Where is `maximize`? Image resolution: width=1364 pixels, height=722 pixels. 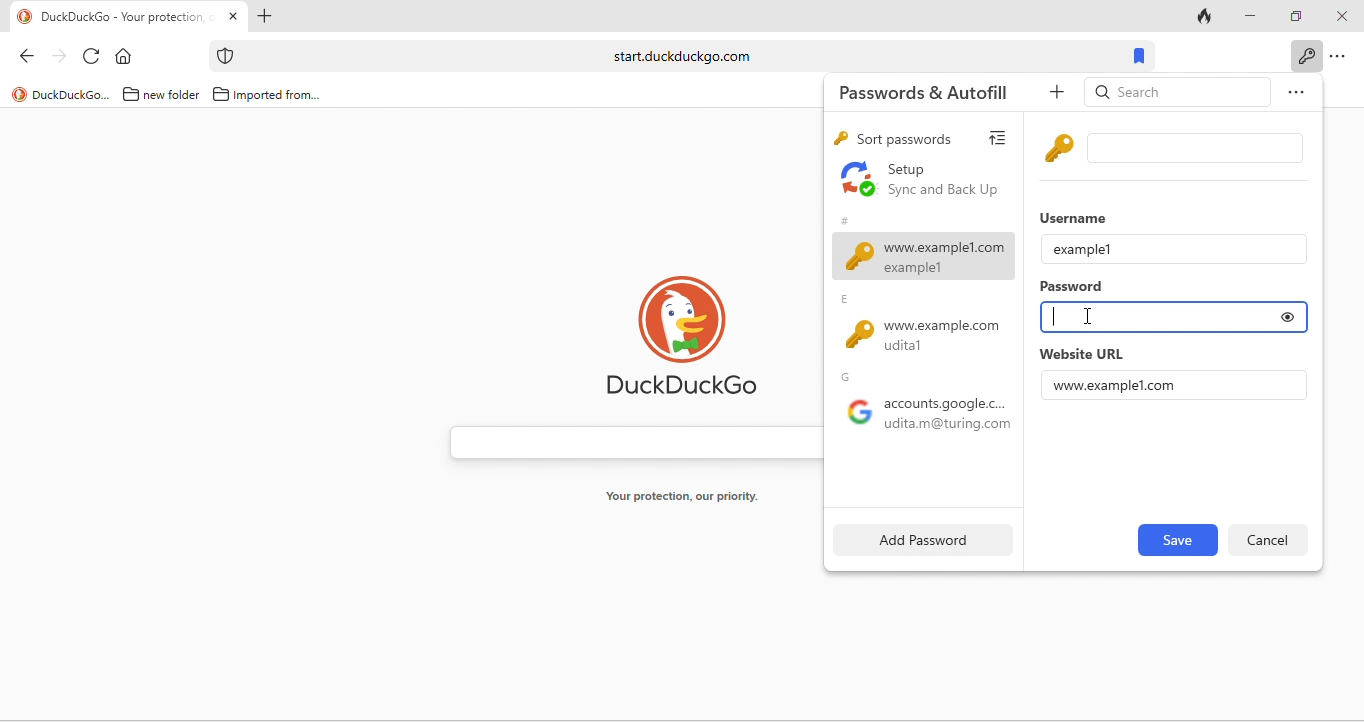 maximize is located at coordinates (1292, 14).